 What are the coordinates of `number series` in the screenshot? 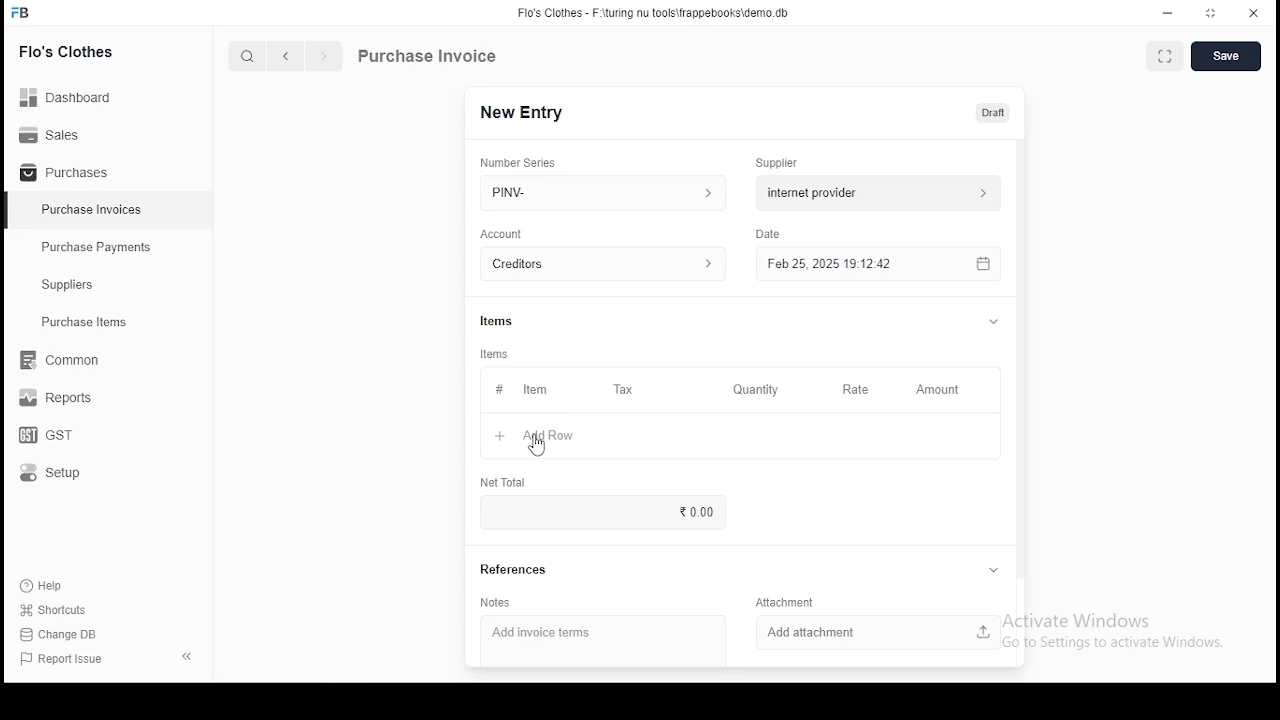 It's located at (519, 162).